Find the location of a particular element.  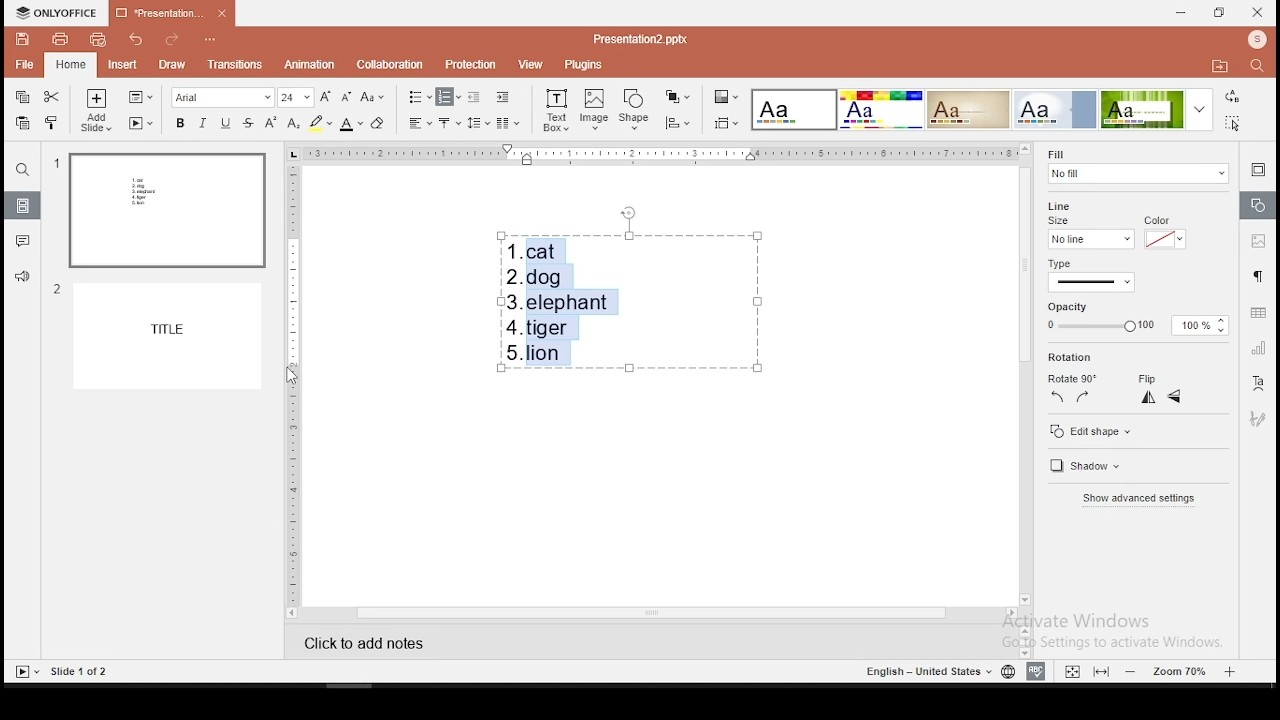

presentation is located at coordinates (168, 13).